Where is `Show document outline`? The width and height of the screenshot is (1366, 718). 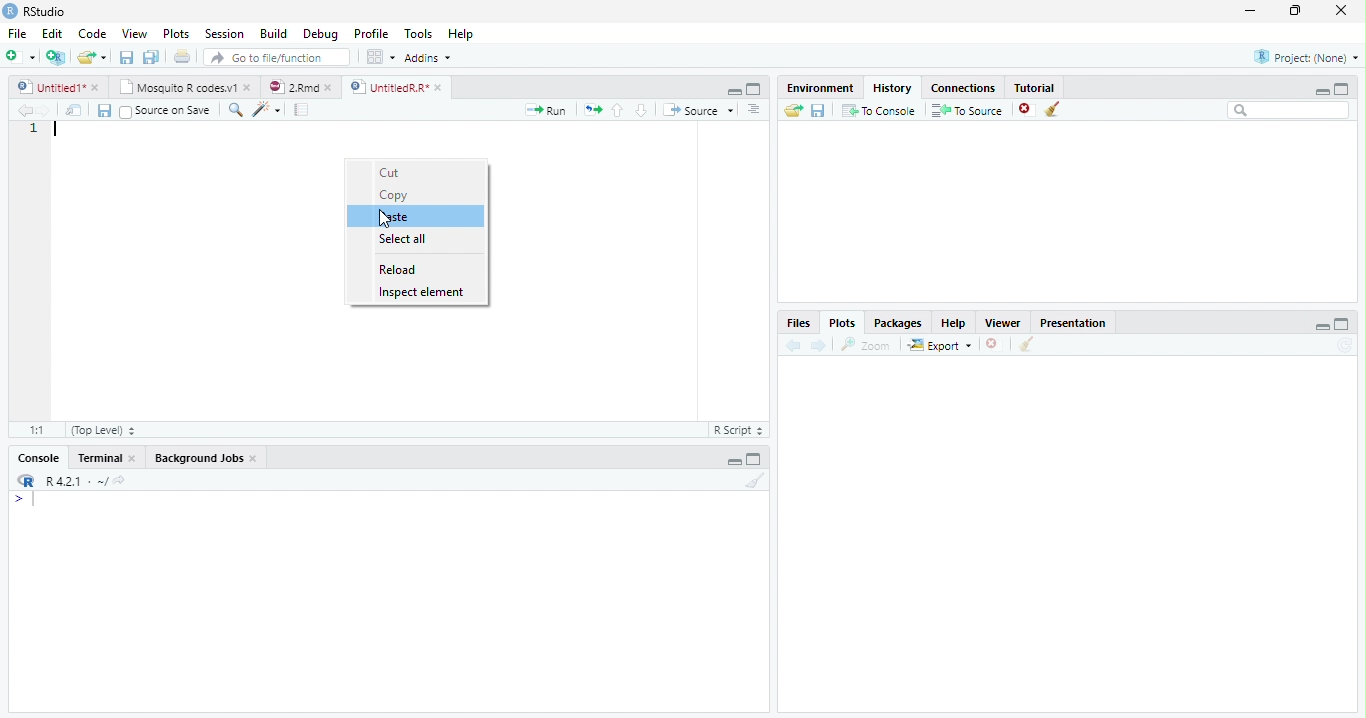 Show document outline is located at coordinates (754, 111).